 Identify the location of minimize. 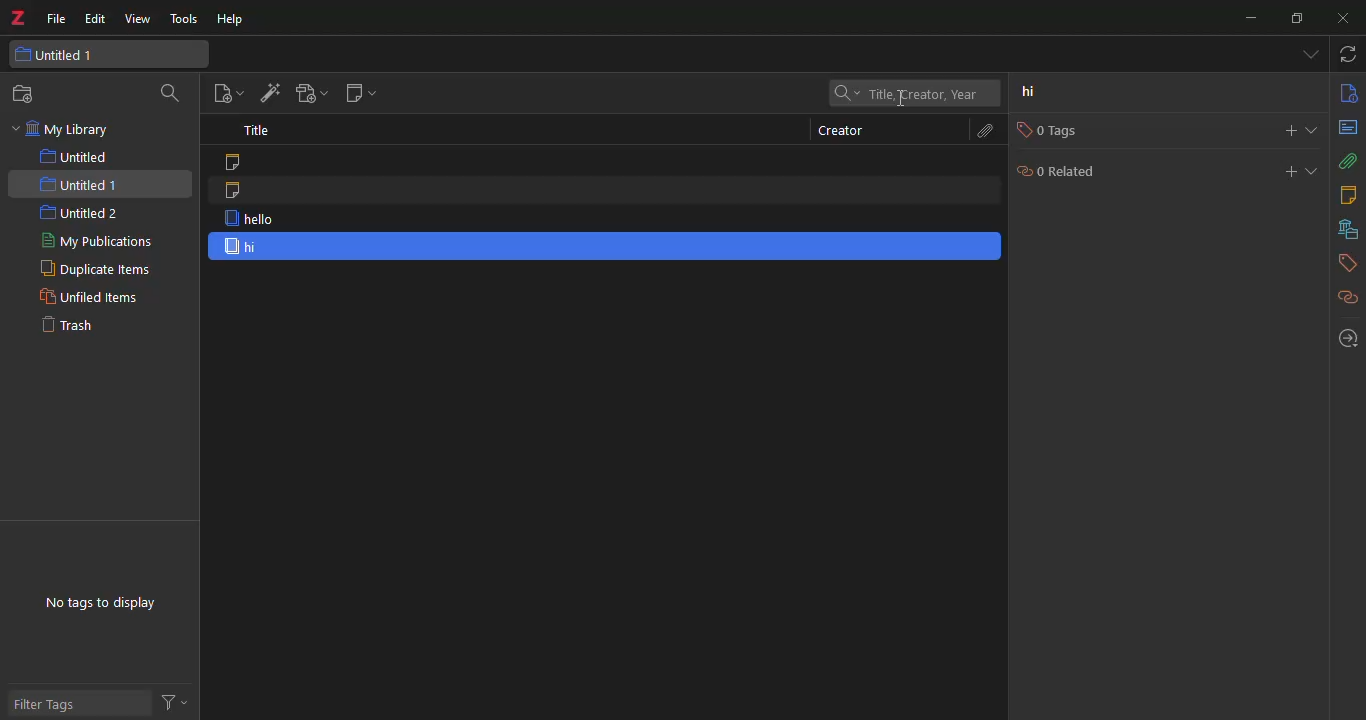
(1251, 19).